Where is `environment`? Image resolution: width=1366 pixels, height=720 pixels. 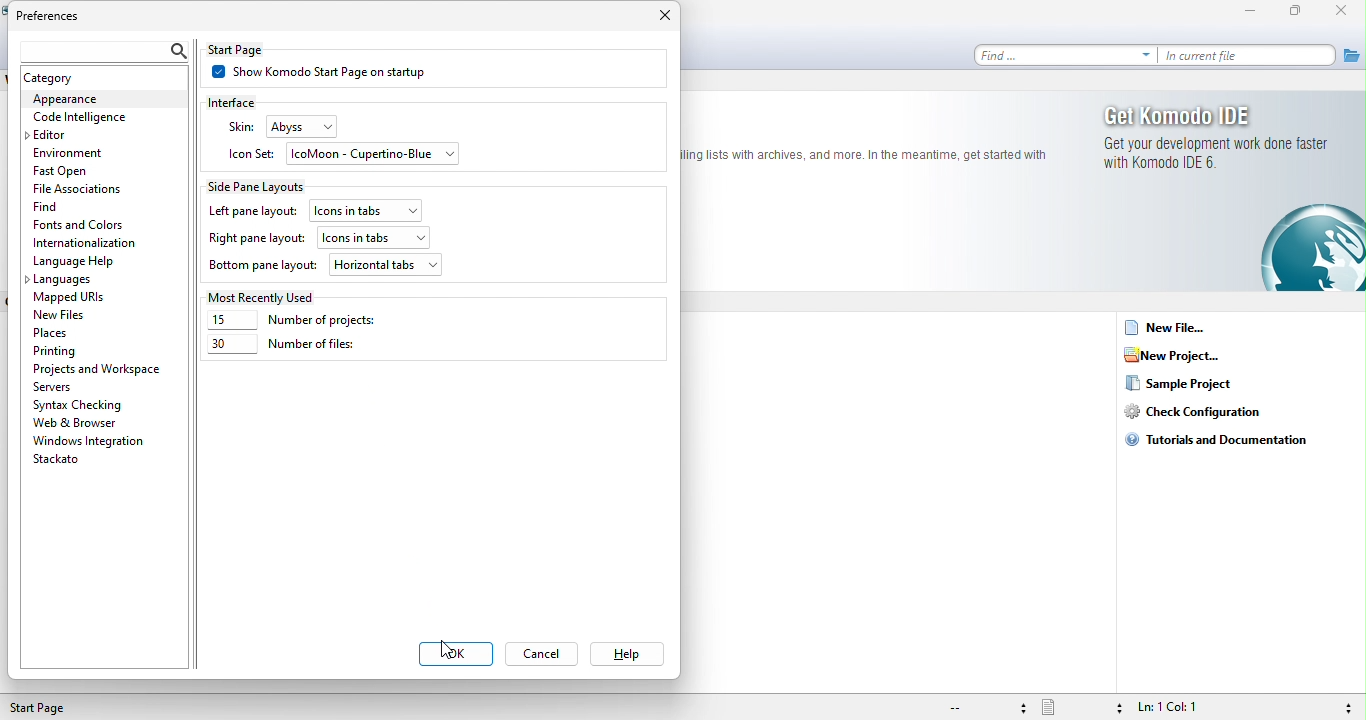 environment is located at coordinates (74, 152).